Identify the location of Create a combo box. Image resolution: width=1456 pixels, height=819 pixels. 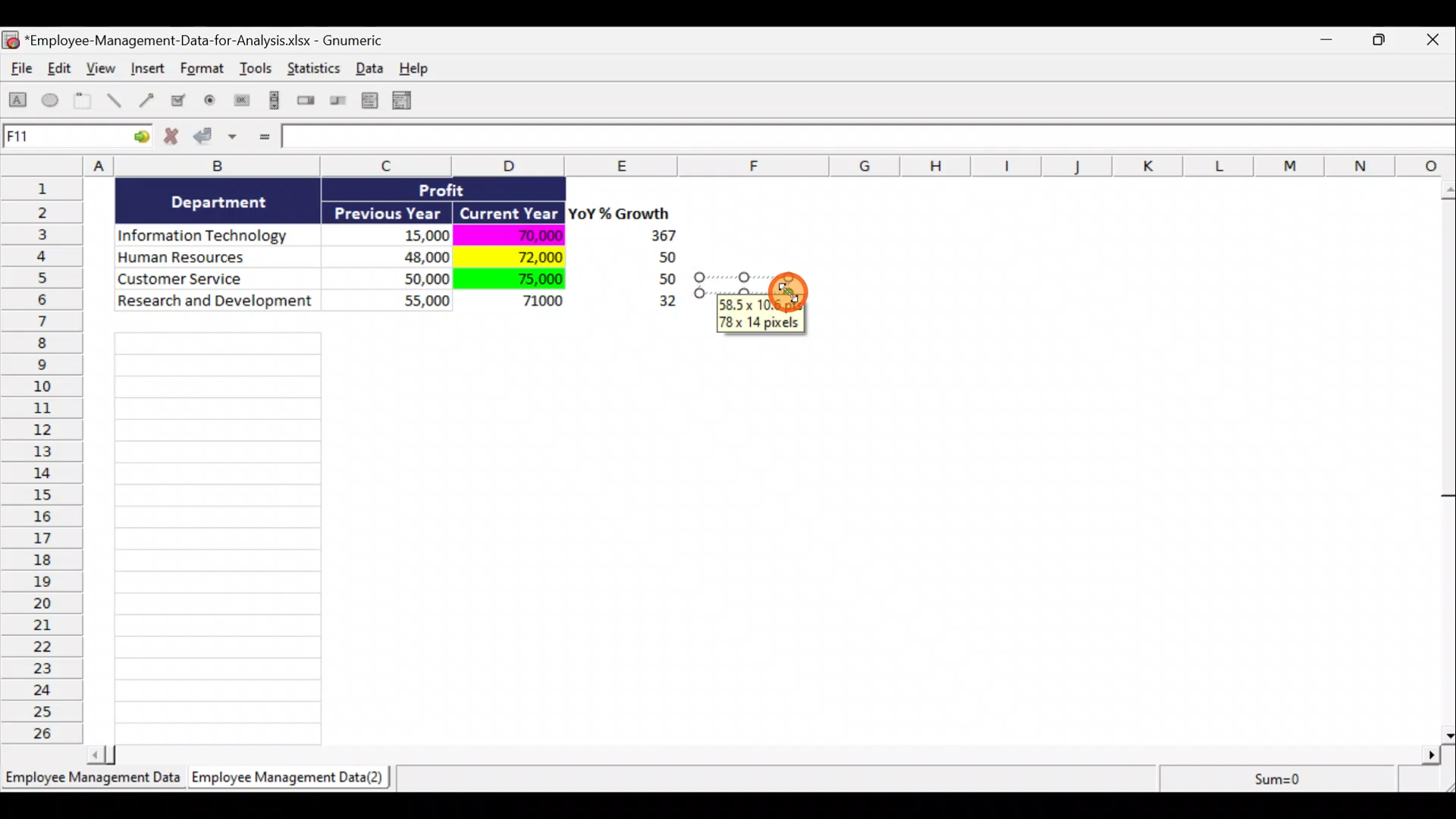
(409, 101).